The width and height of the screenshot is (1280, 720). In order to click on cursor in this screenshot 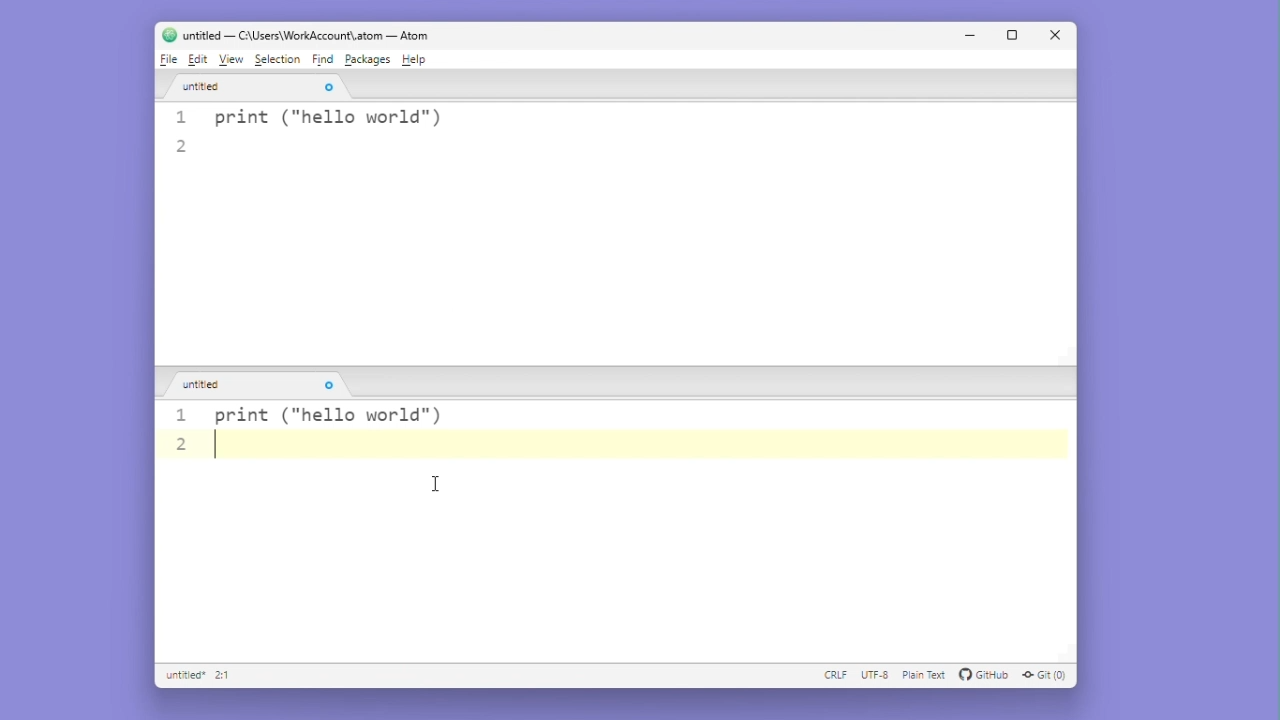, I will do `click(439, 485)`.